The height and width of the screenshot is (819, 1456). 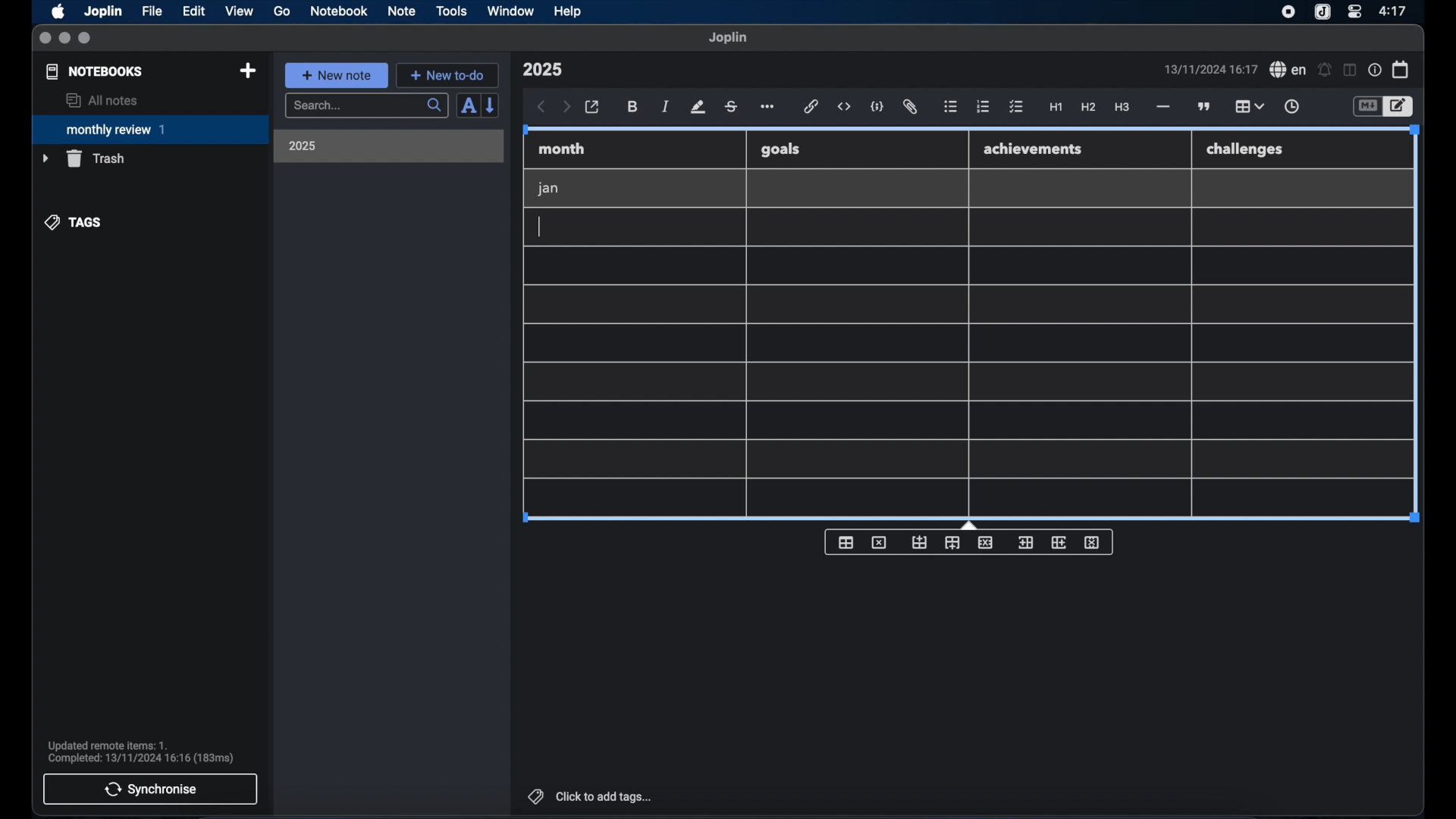 I want to click on tags, so click(x=74, y=222).